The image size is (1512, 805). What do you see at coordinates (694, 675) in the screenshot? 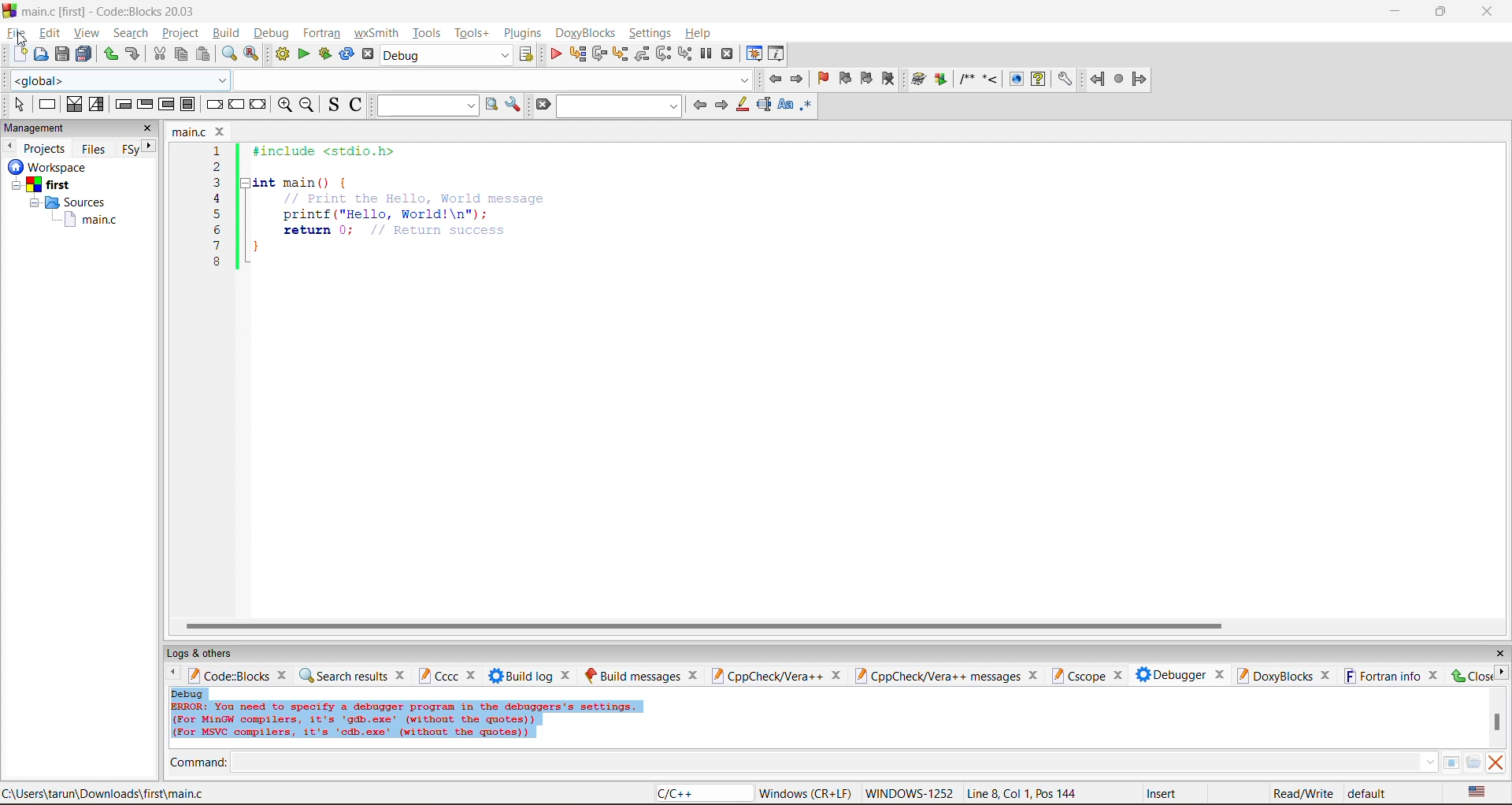
I see `close` at bounding box center [694, 675].